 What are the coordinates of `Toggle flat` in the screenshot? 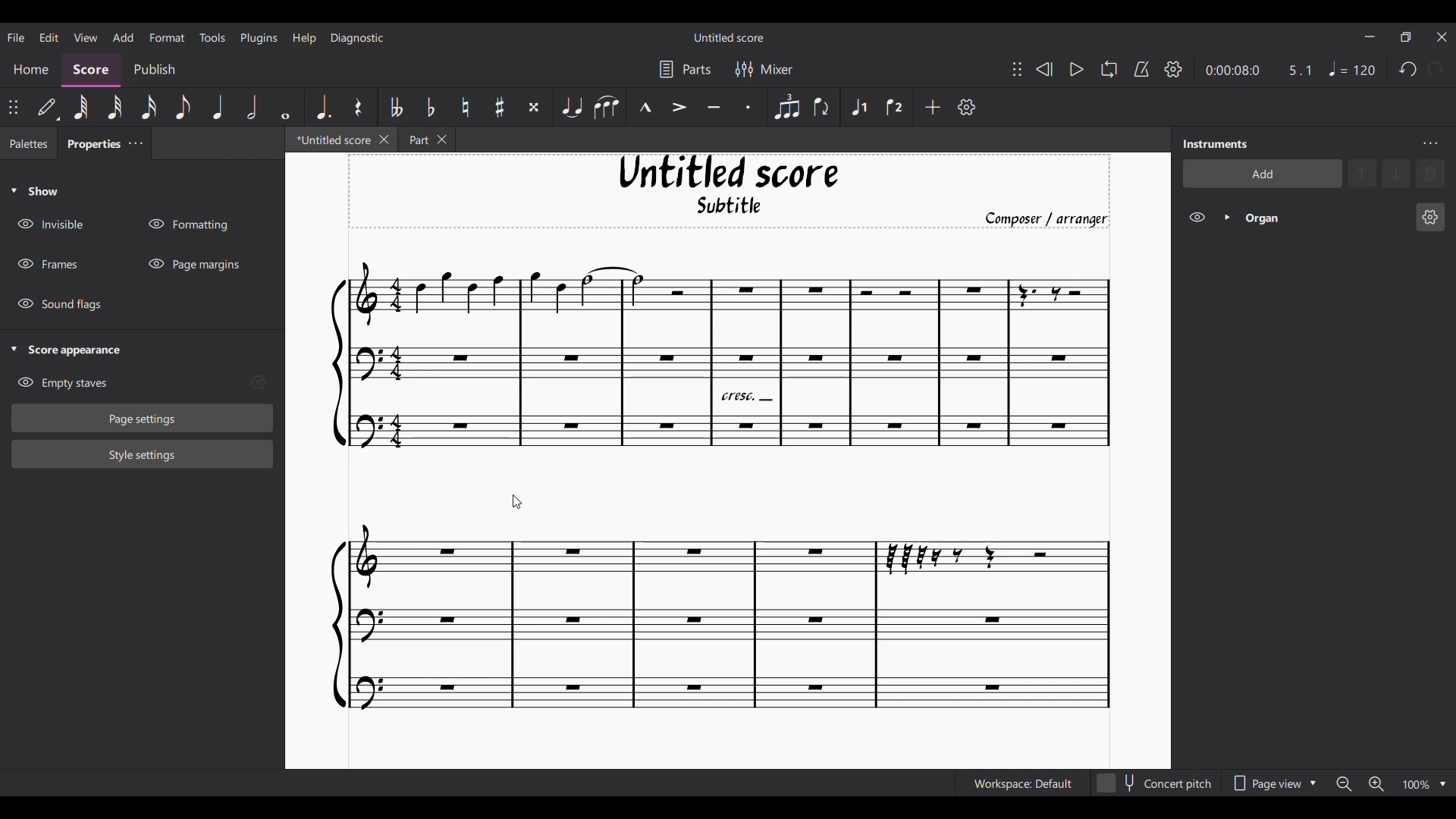 It's located at (430, 107).